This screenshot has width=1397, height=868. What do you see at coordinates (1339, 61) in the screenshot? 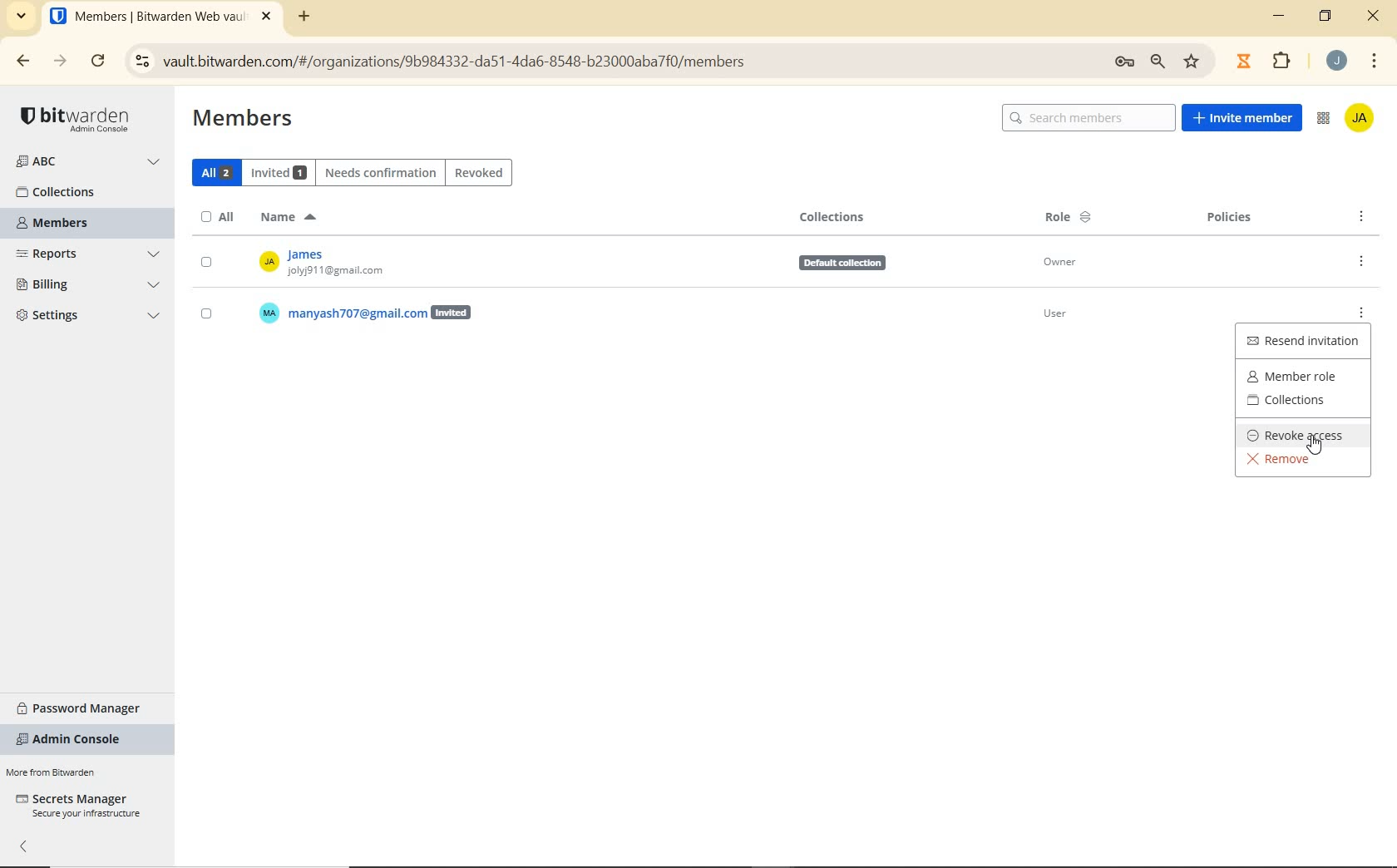
I see `ACCOUNT NAME` at bounding box center [1339, 61].